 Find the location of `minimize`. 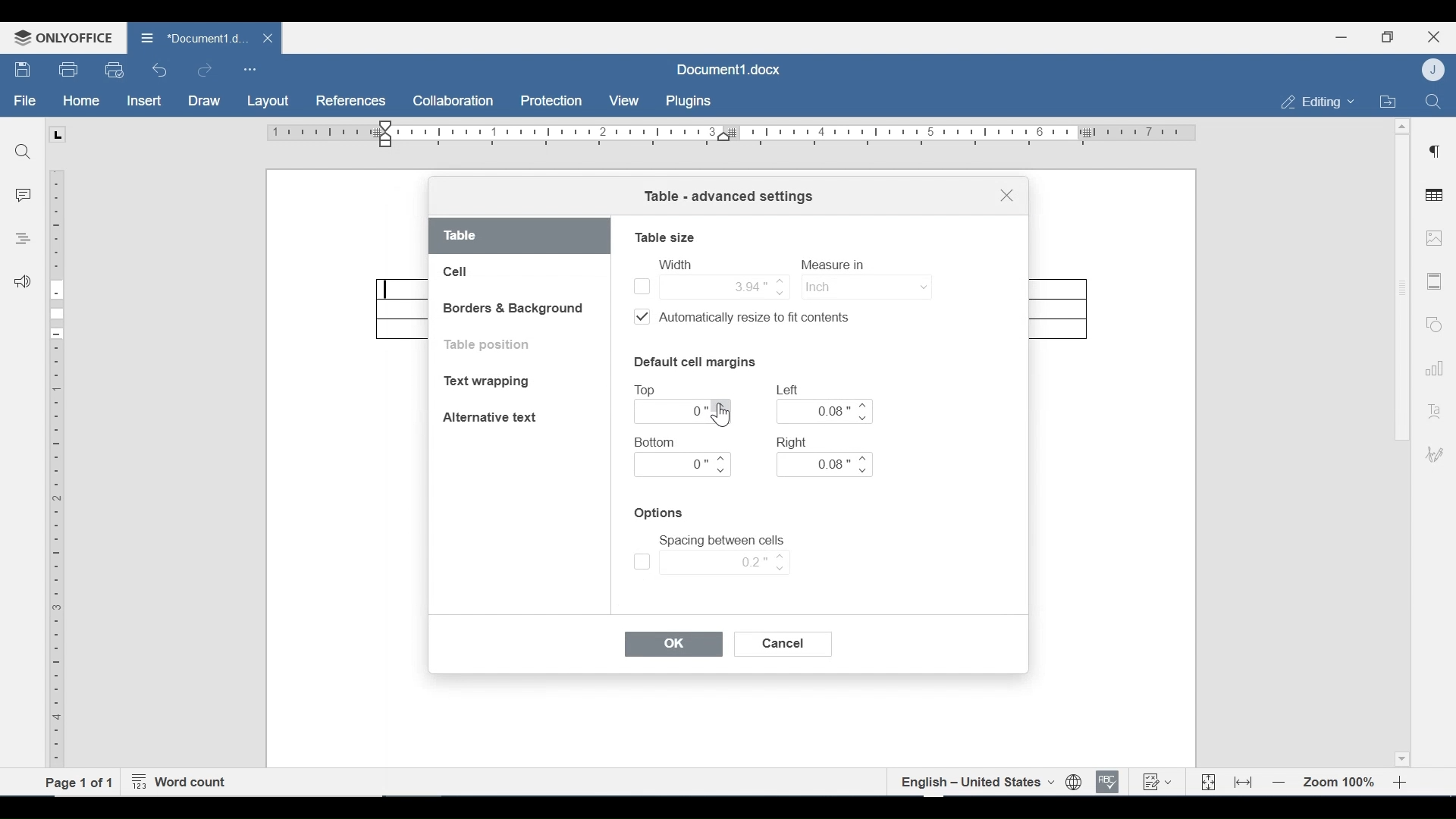

minimize is located at coordinates (1341, 36).